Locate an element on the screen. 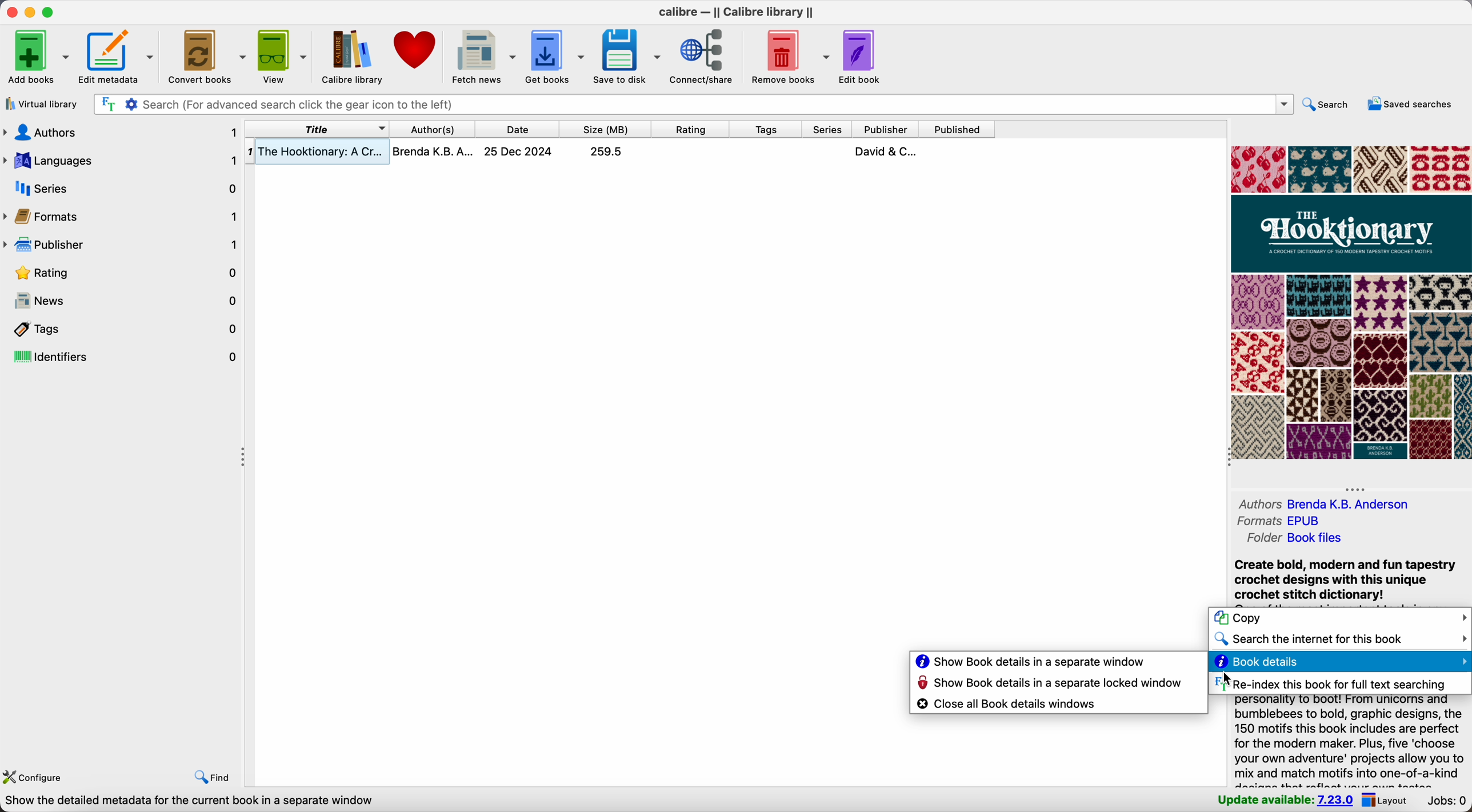  virtual library is located at coordinates (43, 104).